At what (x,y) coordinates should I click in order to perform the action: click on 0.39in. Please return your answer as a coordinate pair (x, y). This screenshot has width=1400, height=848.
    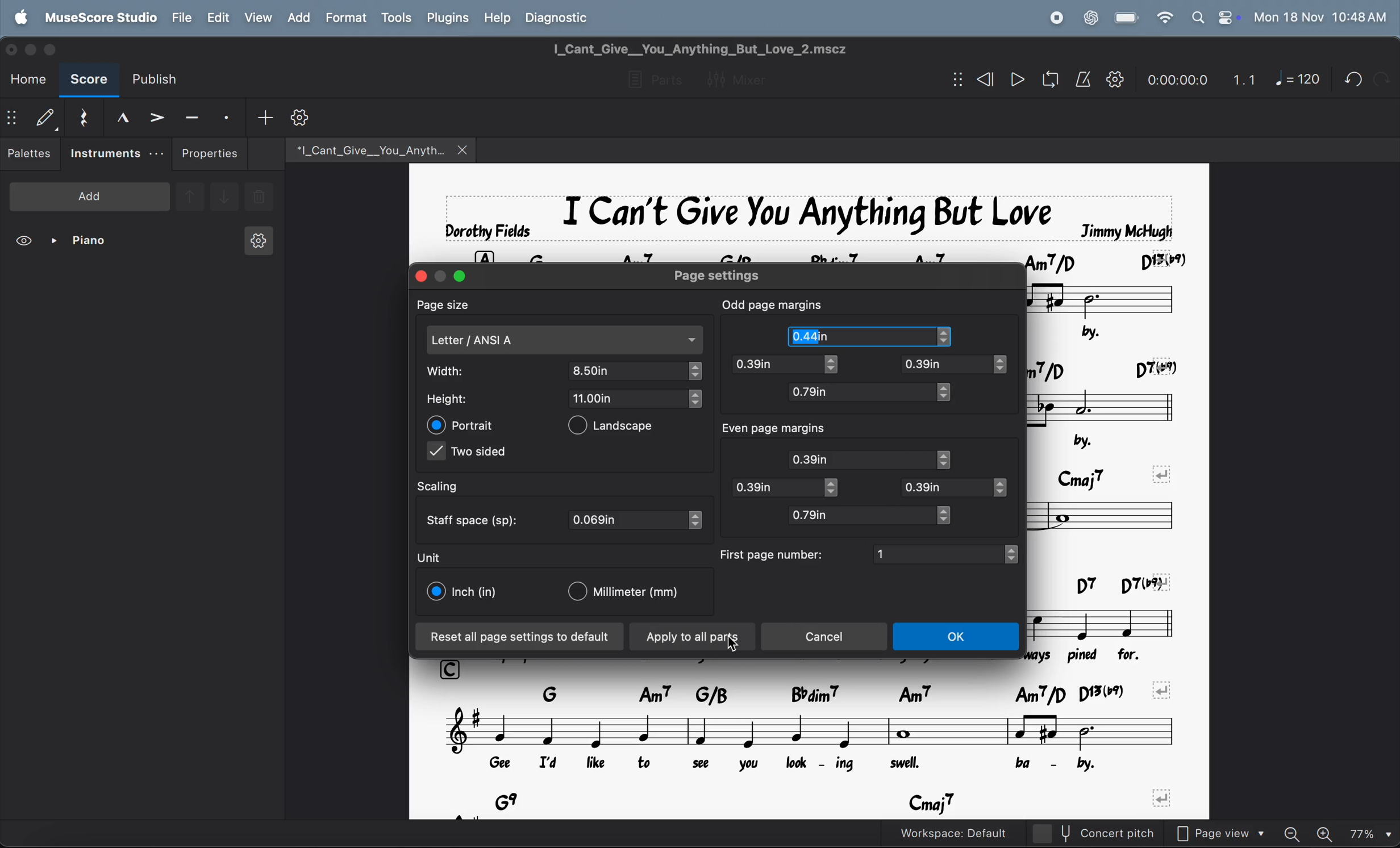
    Looking at the image, I should click on (944, 365).